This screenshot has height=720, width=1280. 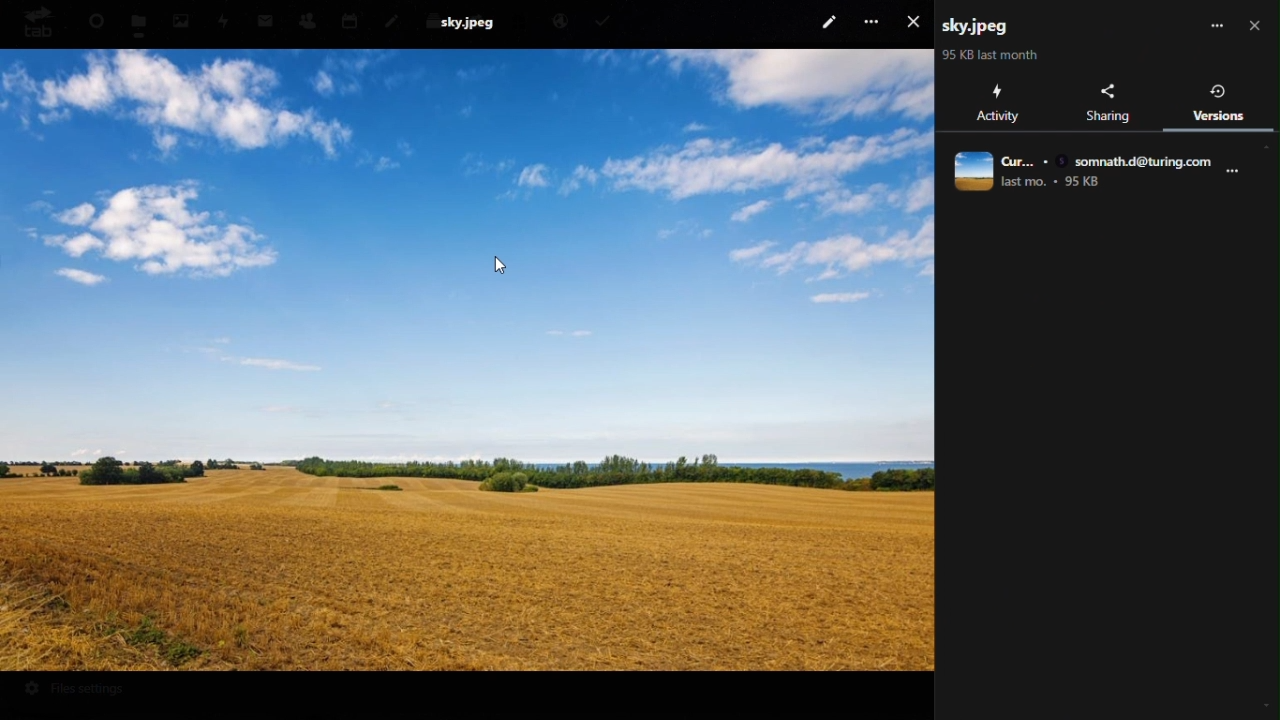 What do you see at coordinates (469, 359) in the screenshot?
I see `Image` at bounding box center [469, 359].